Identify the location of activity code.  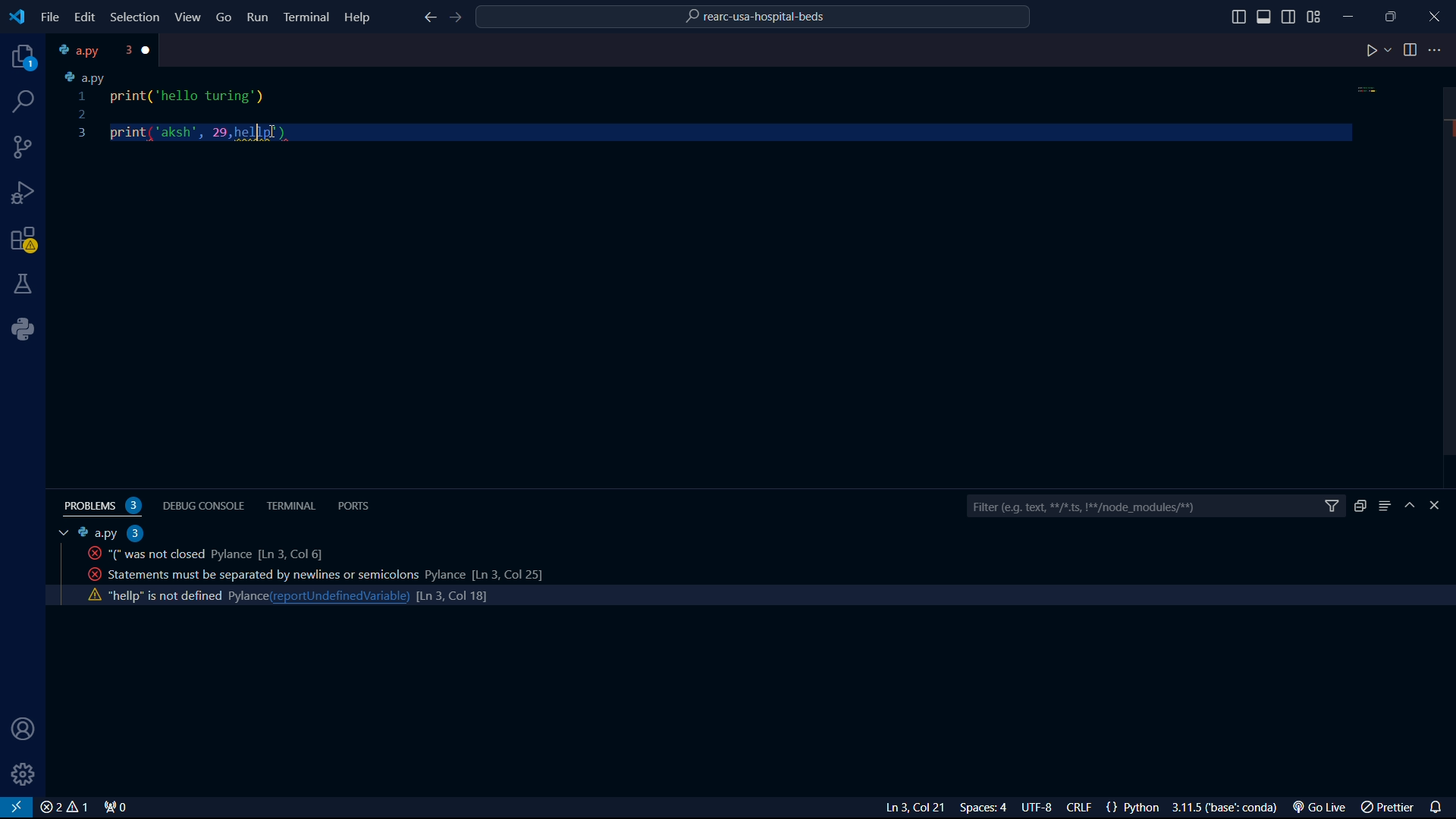
(166, 594).